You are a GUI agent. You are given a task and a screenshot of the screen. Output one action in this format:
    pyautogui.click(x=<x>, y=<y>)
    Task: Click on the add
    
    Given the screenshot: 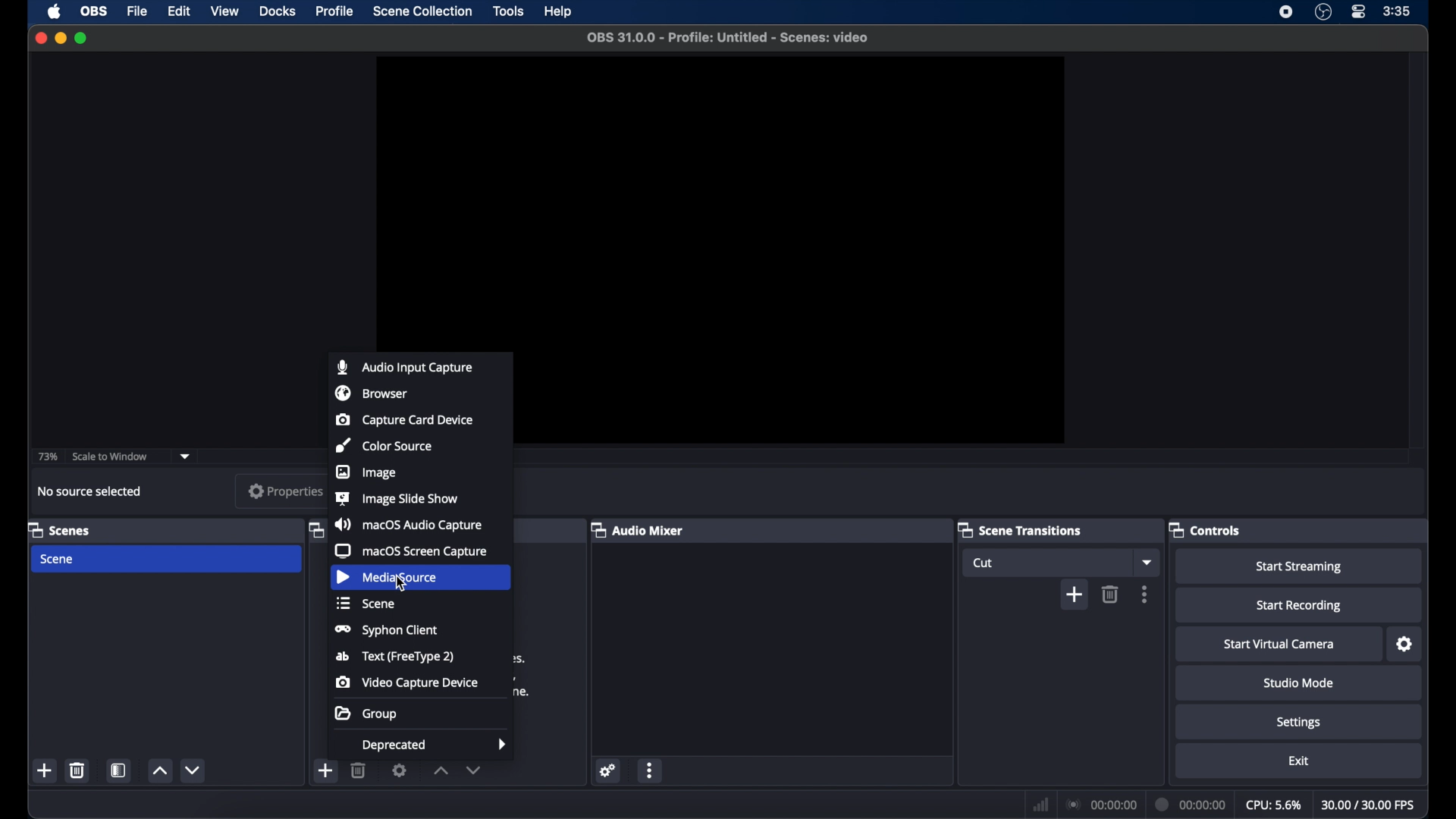 What is the action you would take?
    pyautogui.click(x=45, y=770)
    